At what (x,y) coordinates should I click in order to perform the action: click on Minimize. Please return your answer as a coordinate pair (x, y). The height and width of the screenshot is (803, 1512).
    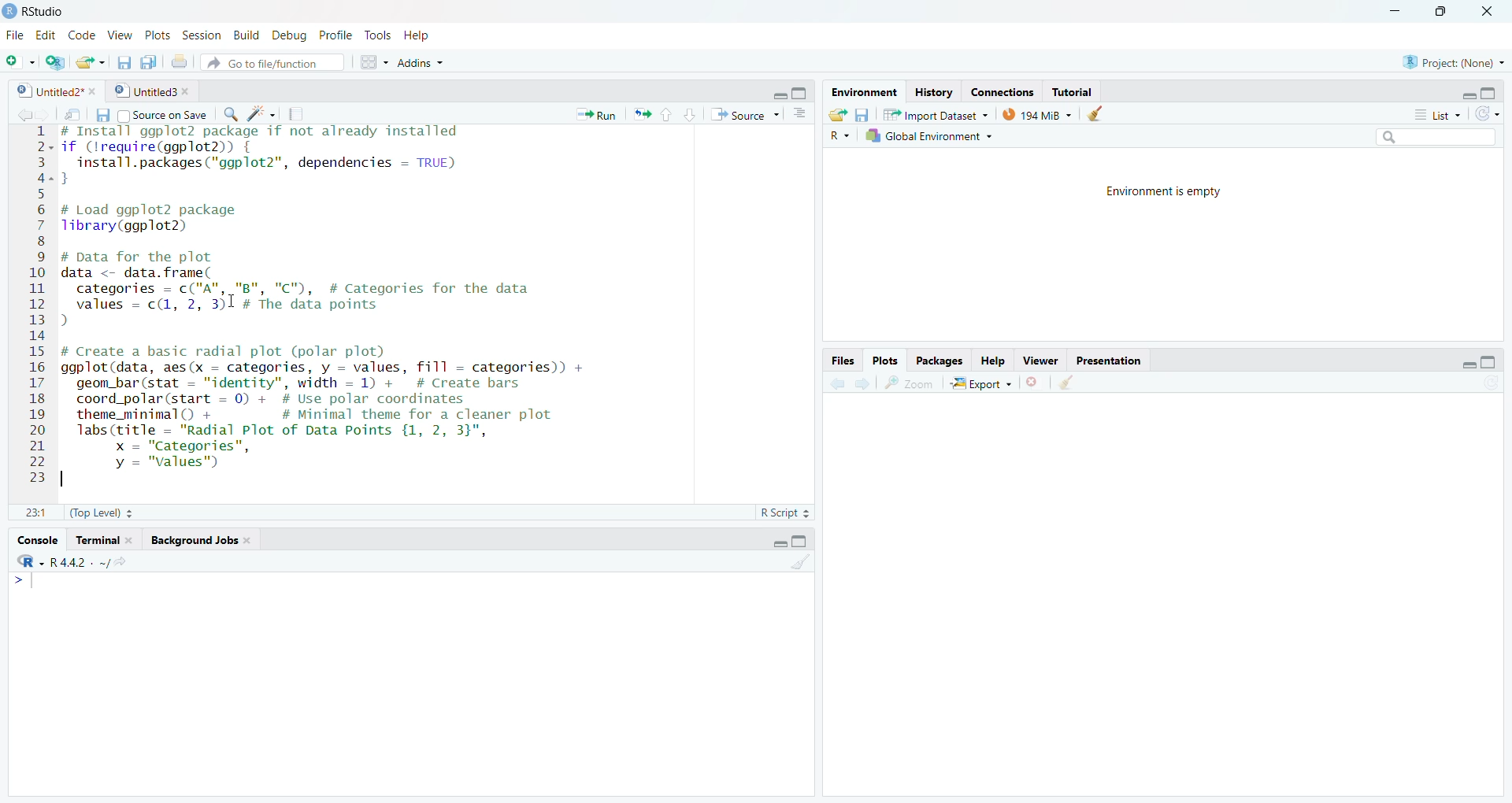
    Looking at the image, I should click on (778, 95).